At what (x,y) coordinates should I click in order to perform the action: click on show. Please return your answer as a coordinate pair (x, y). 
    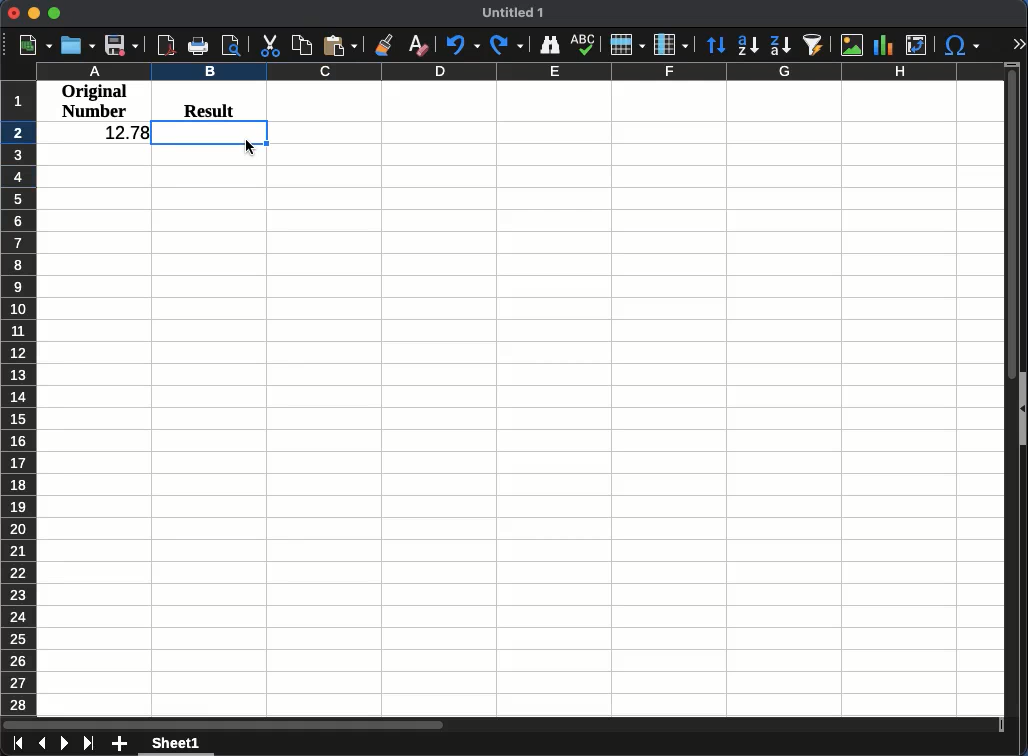
    Looking at the image, I should click on (1022, 413).